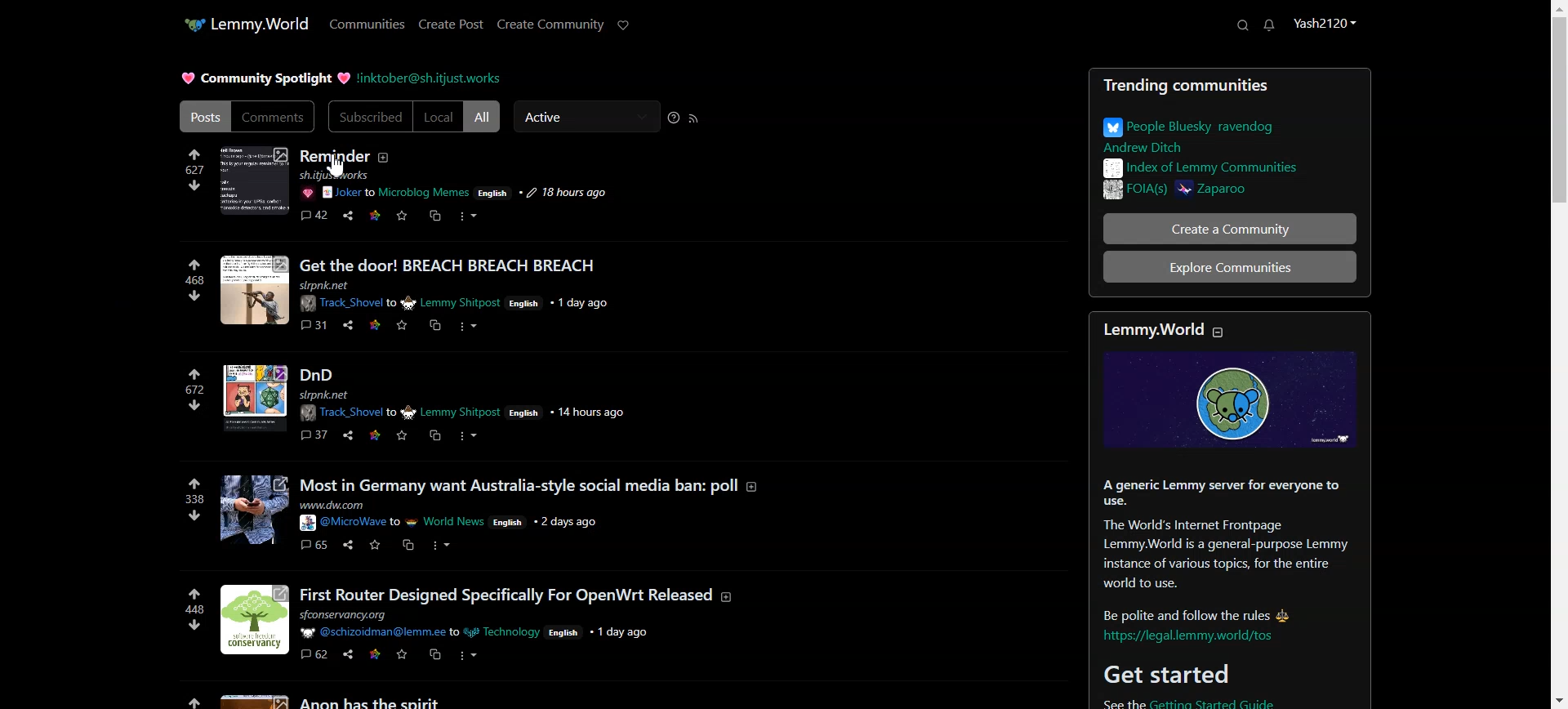 Image resolution: width=1568 pixels, height=709 pixels. Describe the element at coordinates (246, 24) in the screenshot. I see `Home Page` at that location.